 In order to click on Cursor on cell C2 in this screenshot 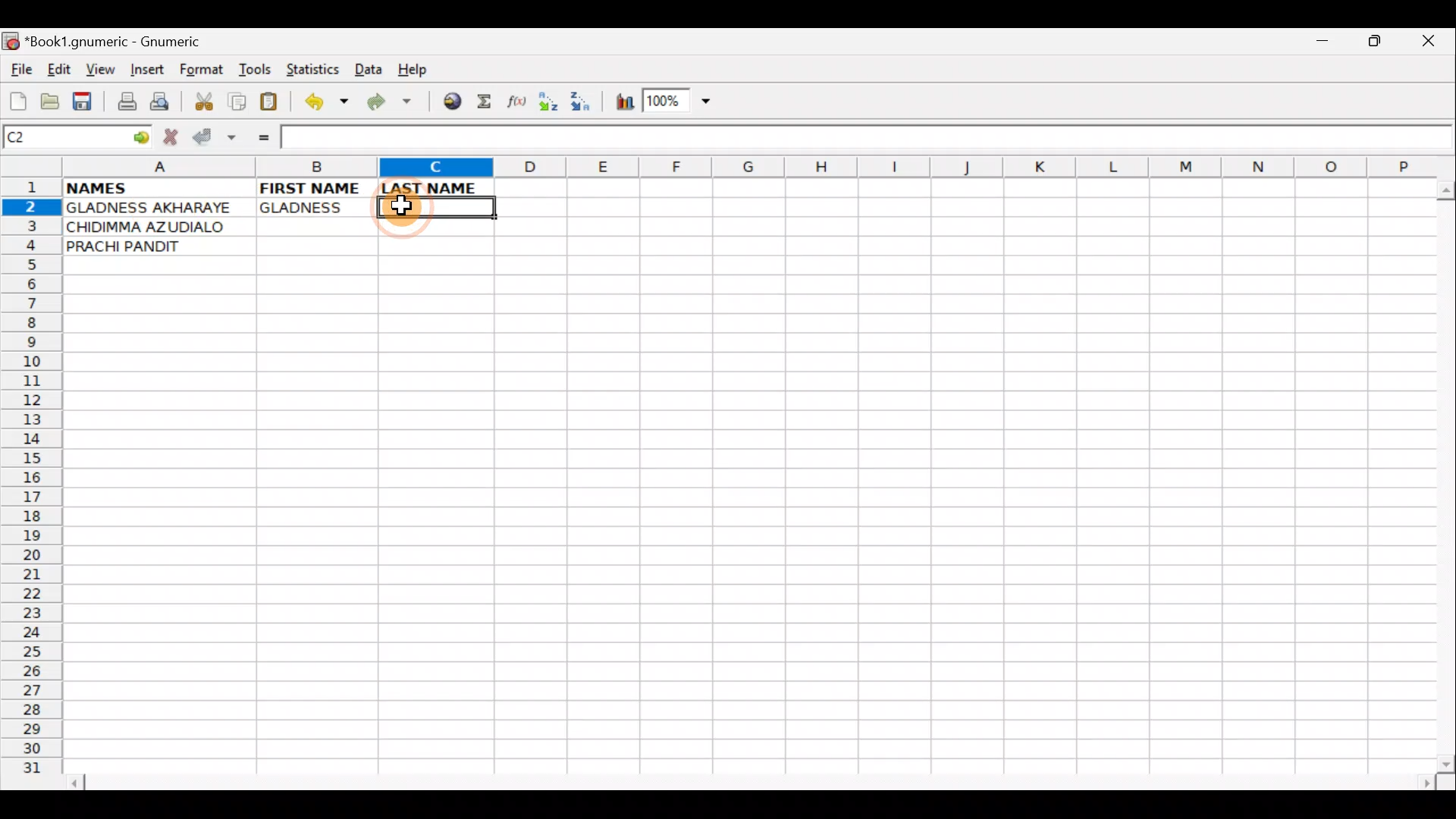, I will do `click(476, 208)`.